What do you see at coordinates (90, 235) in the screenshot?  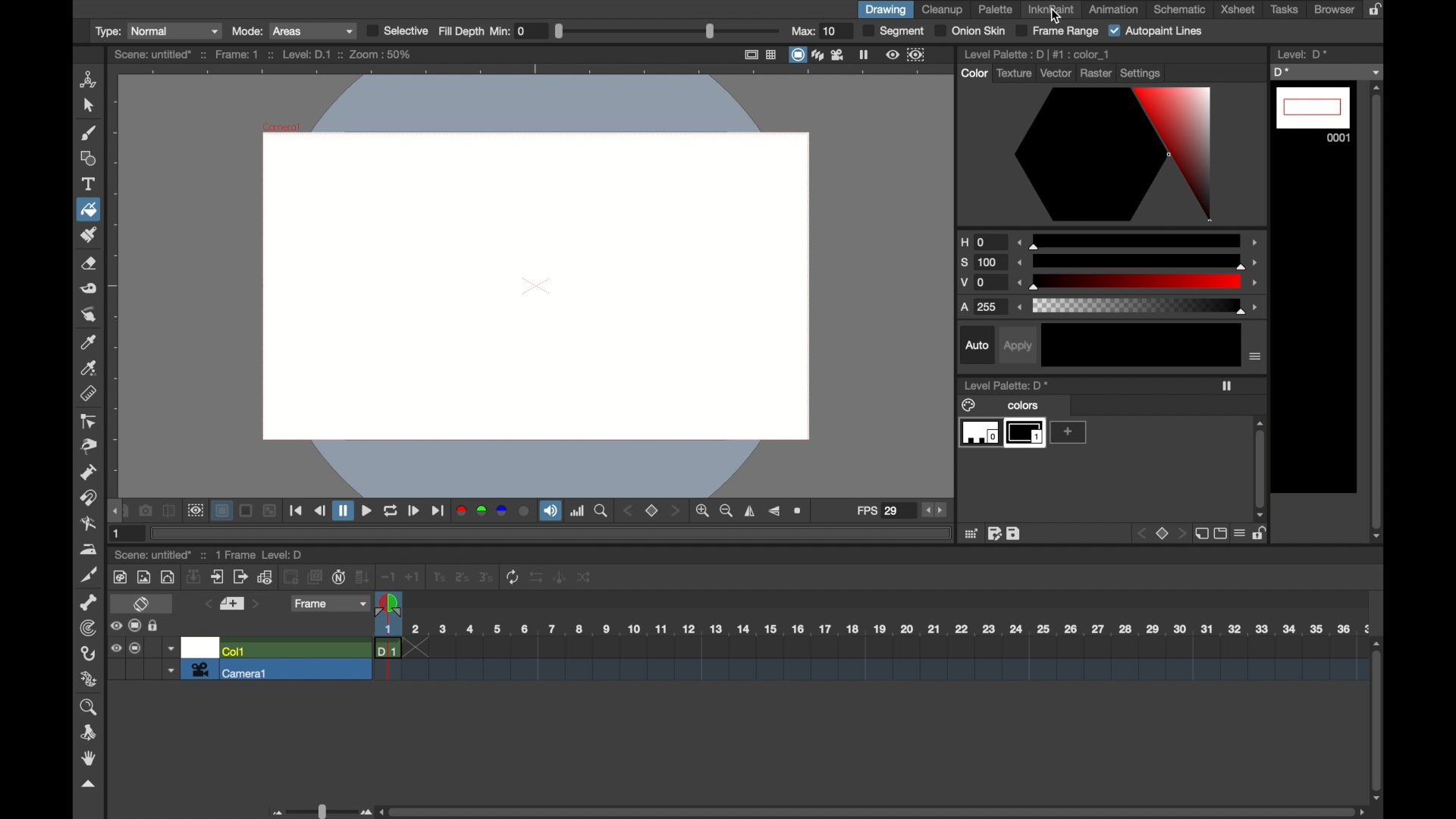 I see `paint brush tool` at bounding box center [90, 235].